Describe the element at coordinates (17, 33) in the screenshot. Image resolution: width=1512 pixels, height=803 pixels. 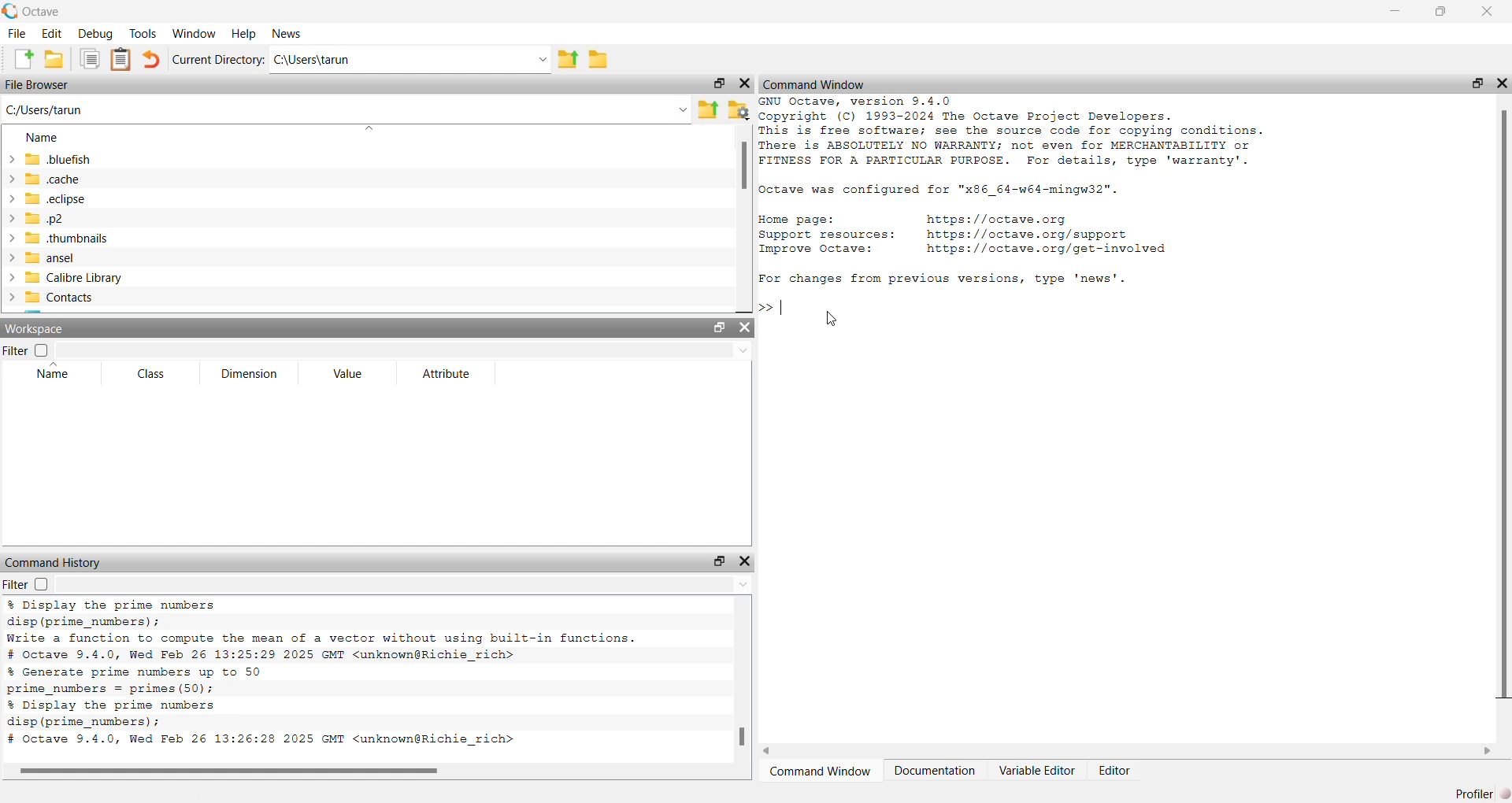
I see `File` at that location.